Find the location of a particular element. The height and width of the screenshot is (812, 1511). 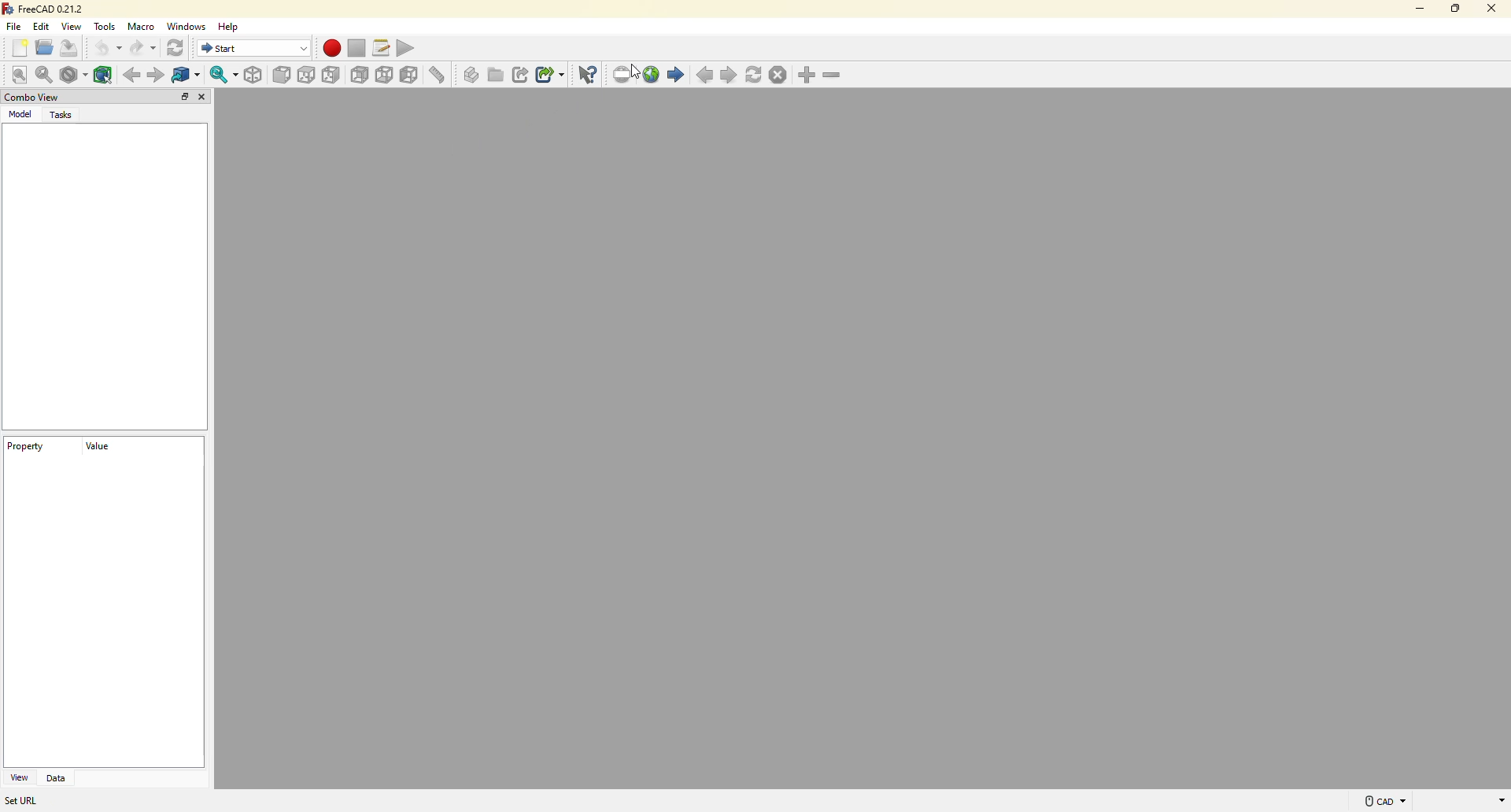

macros is located at coordinates (382, 46).